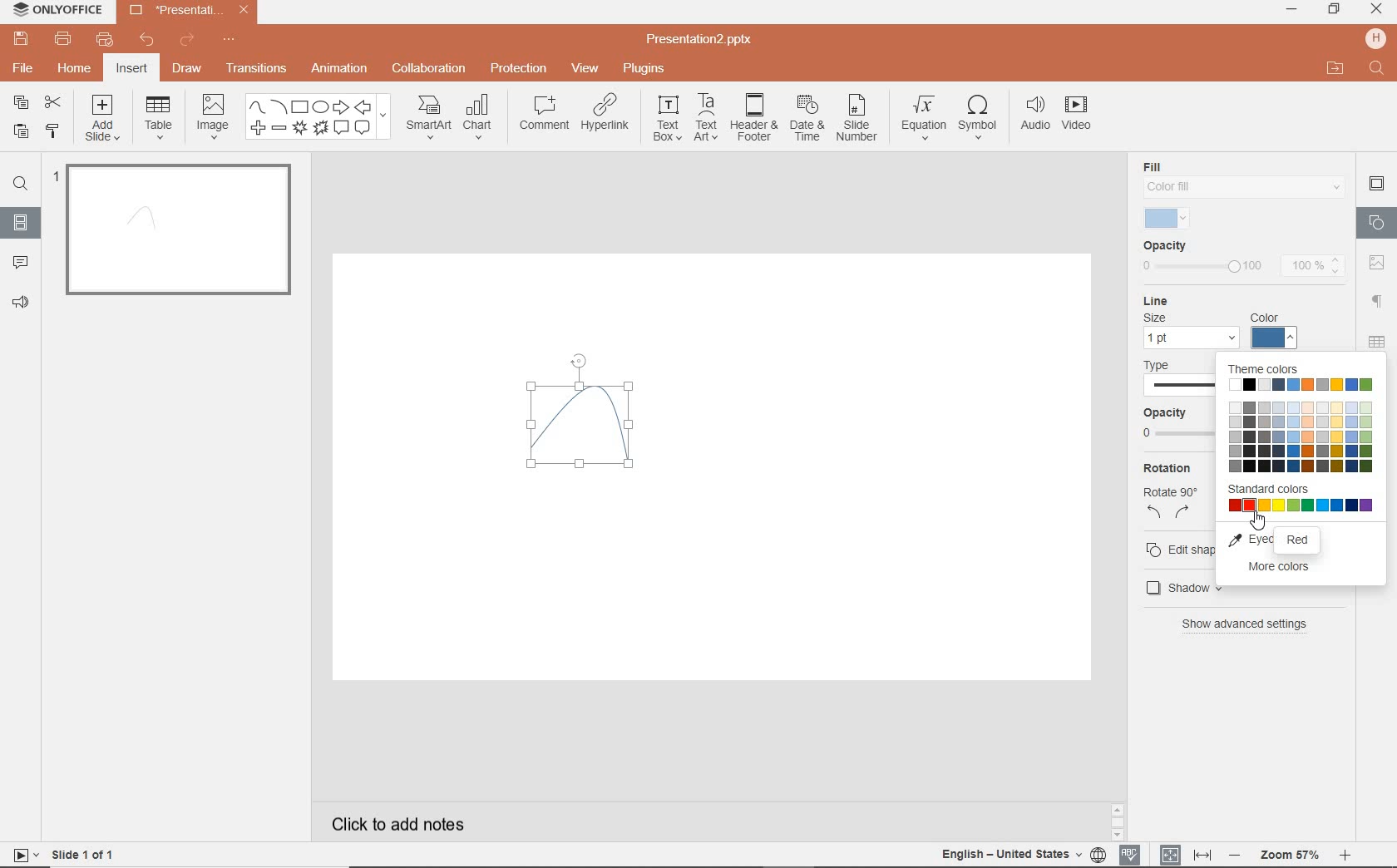 The image size is (1397, 868). I want to click on FEEDBACK & SUPPORT, so click(20, 303).